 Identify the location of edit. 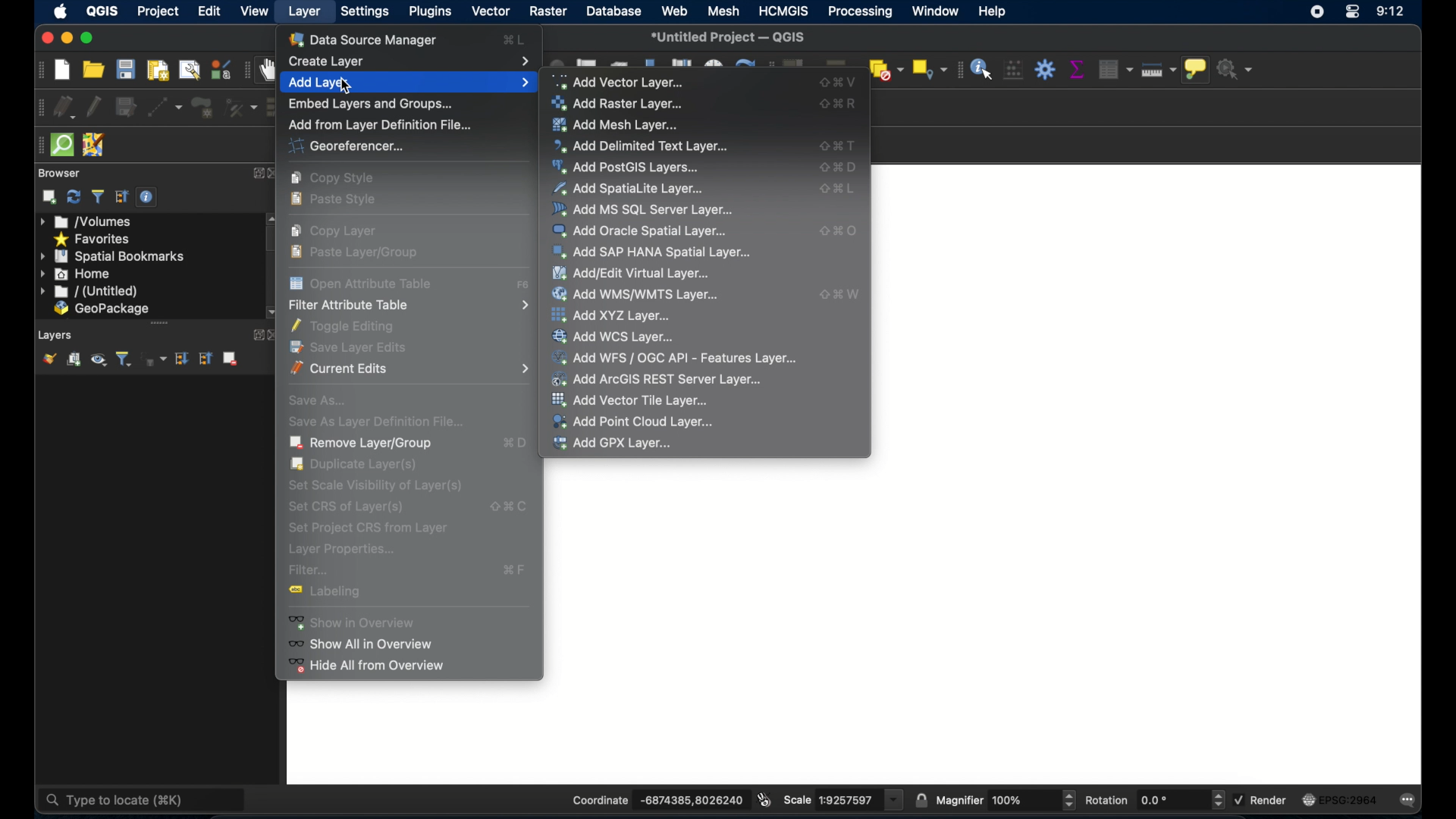
(210, 11).